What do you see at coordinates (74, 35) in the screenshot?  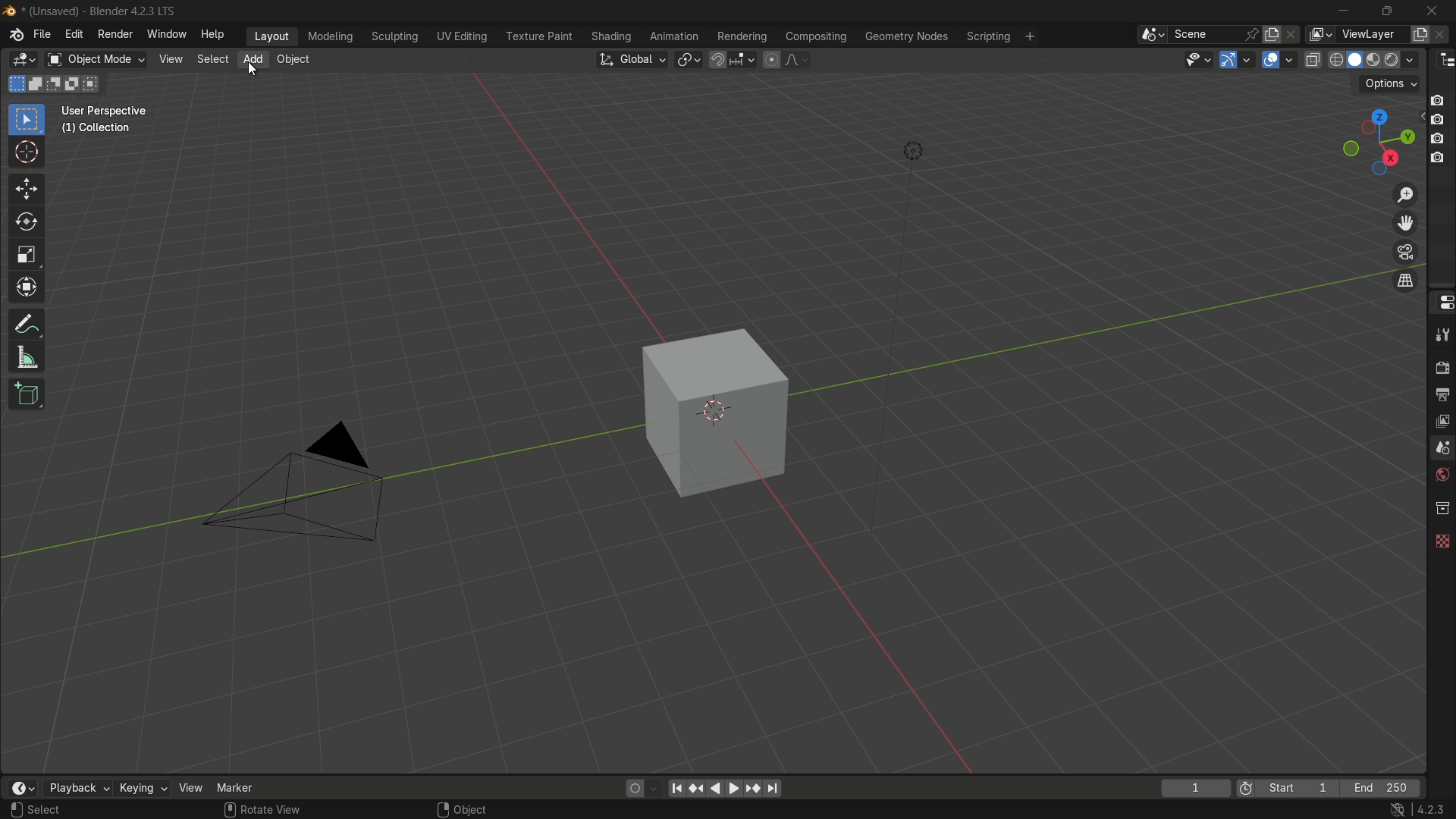 I see `edit menu` at bounding box center [74, 35].